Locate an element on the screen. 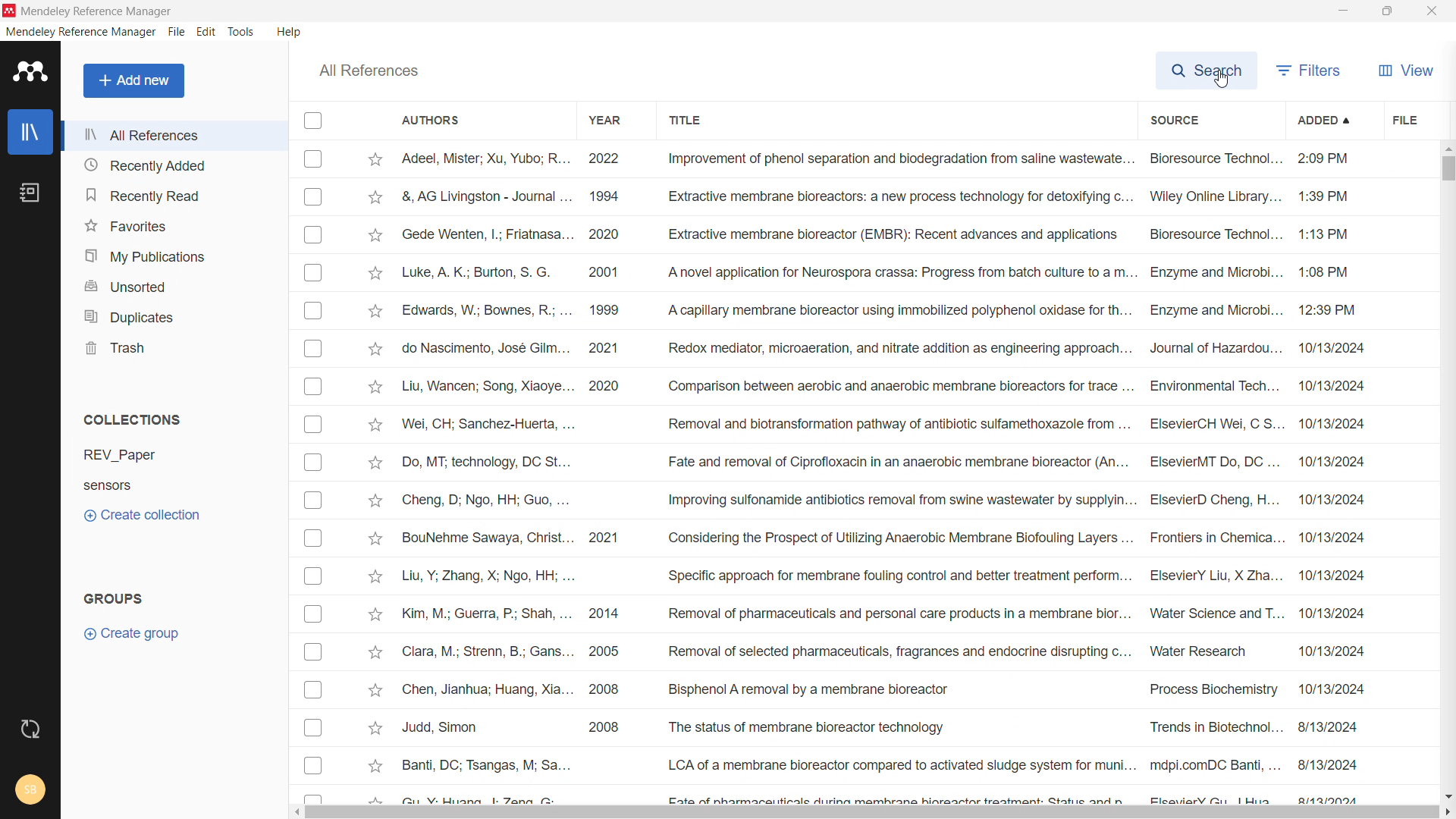 The width and height of the screenshot is (1456, 819). create collection is located at coordinates (176, 516).